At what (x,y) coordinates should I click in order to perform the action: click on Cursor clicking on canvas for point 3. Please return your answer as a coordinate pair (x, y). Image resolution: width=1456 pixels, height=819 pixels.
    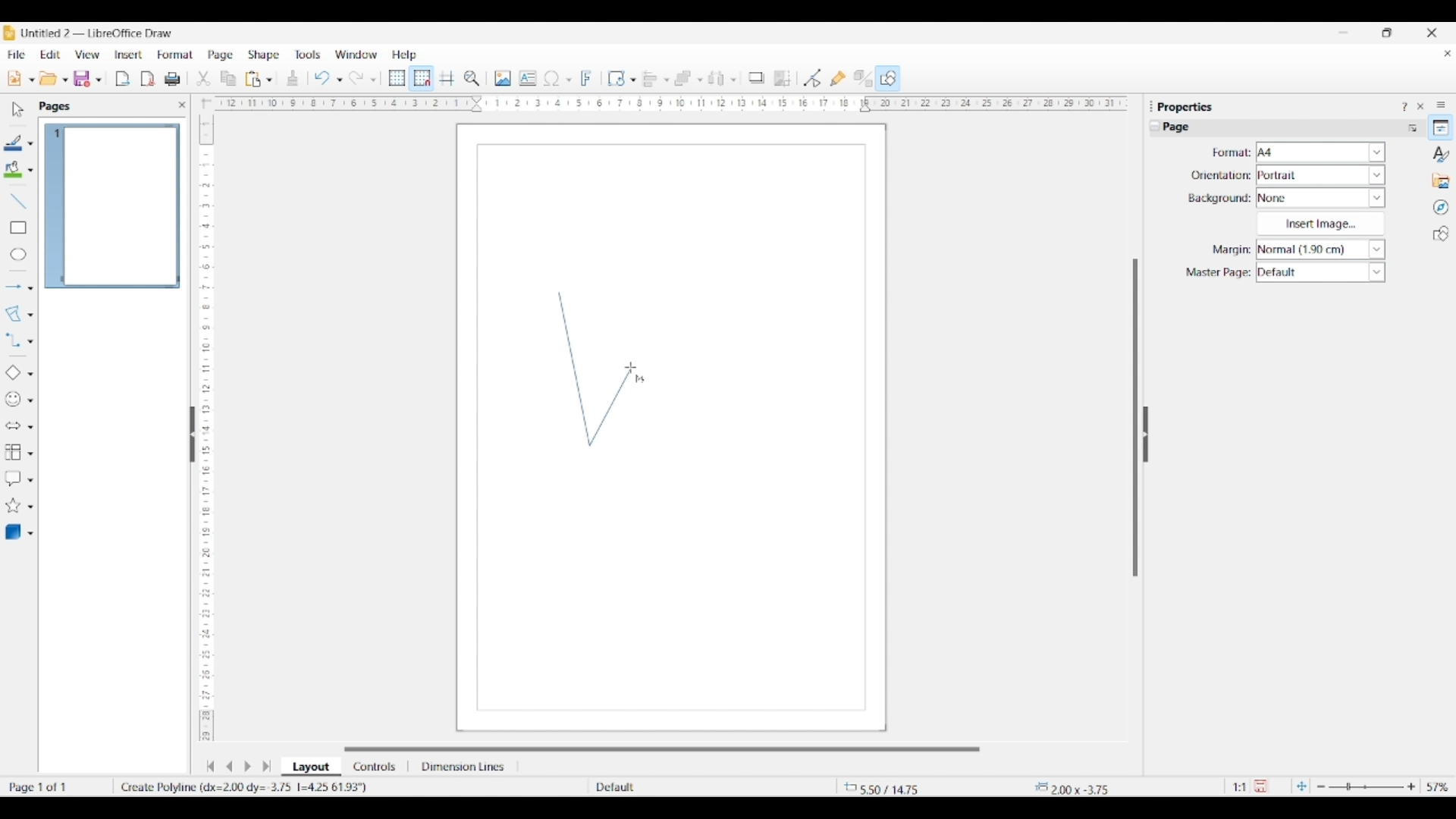
    Looking at the image, I should click on (631, 368).